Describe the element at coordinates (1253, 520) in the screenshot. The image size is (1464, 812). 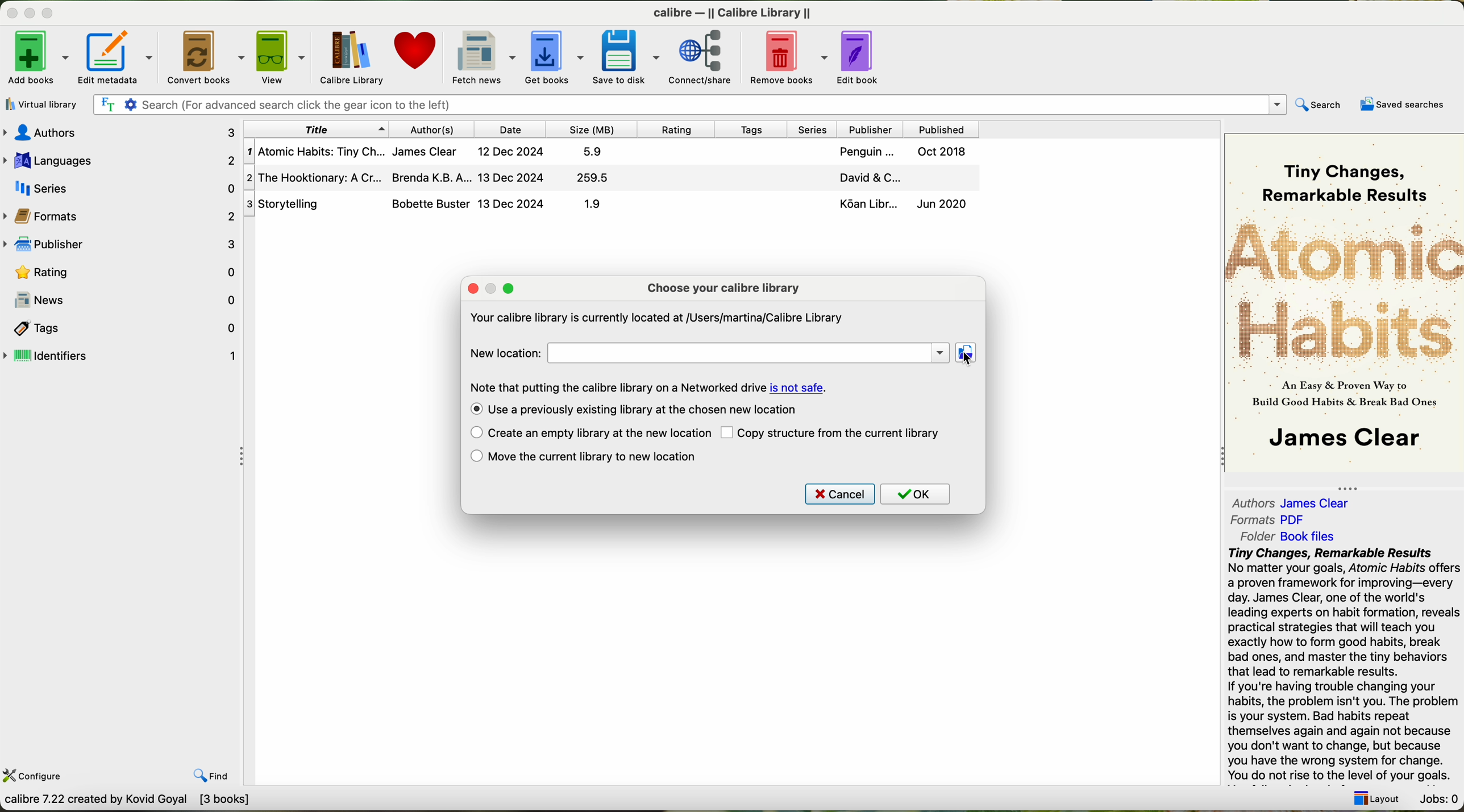
I see `formats ` at that location.